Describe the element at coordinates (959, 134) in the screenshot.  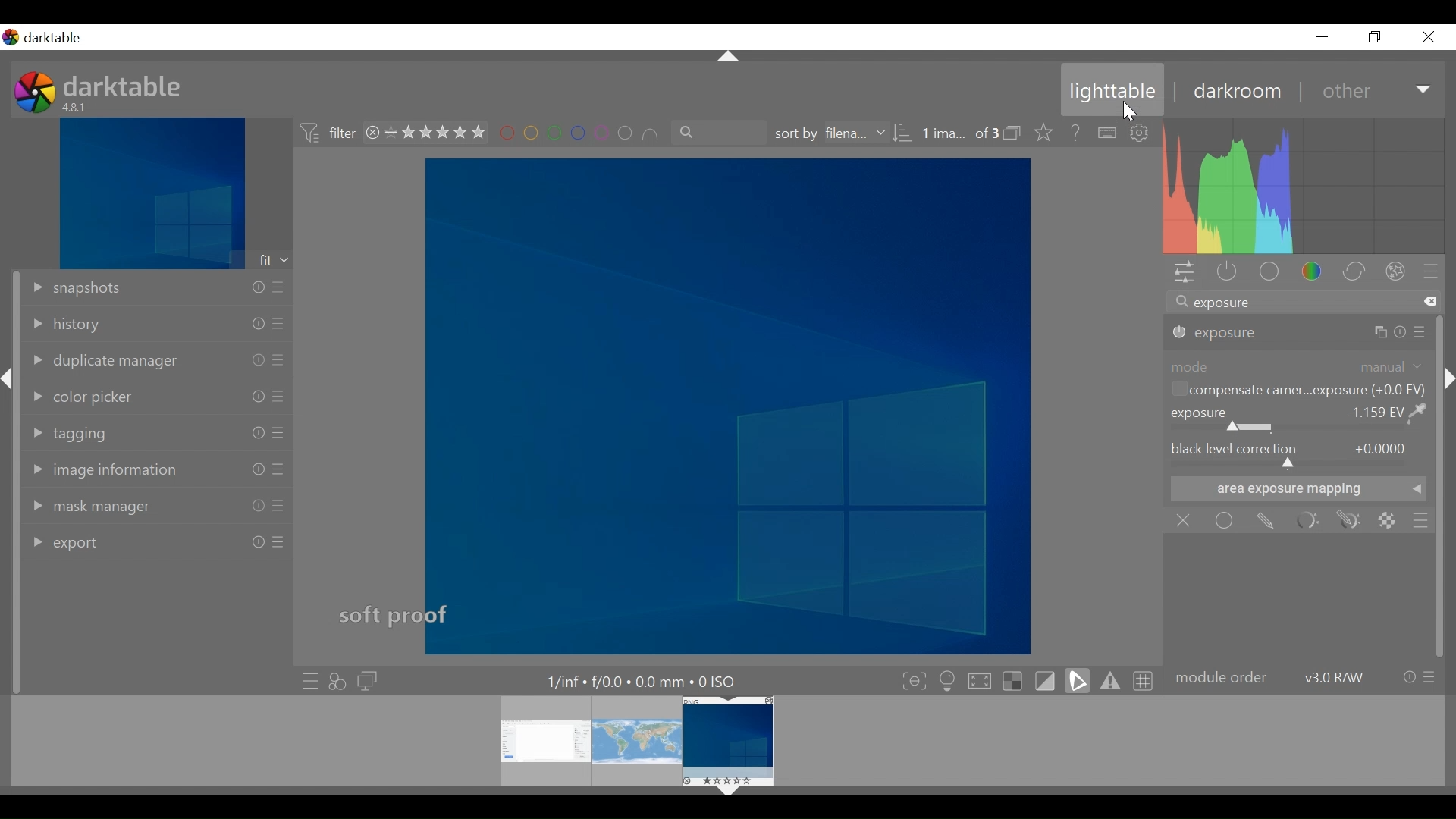
I see `number of image selected` at that location.